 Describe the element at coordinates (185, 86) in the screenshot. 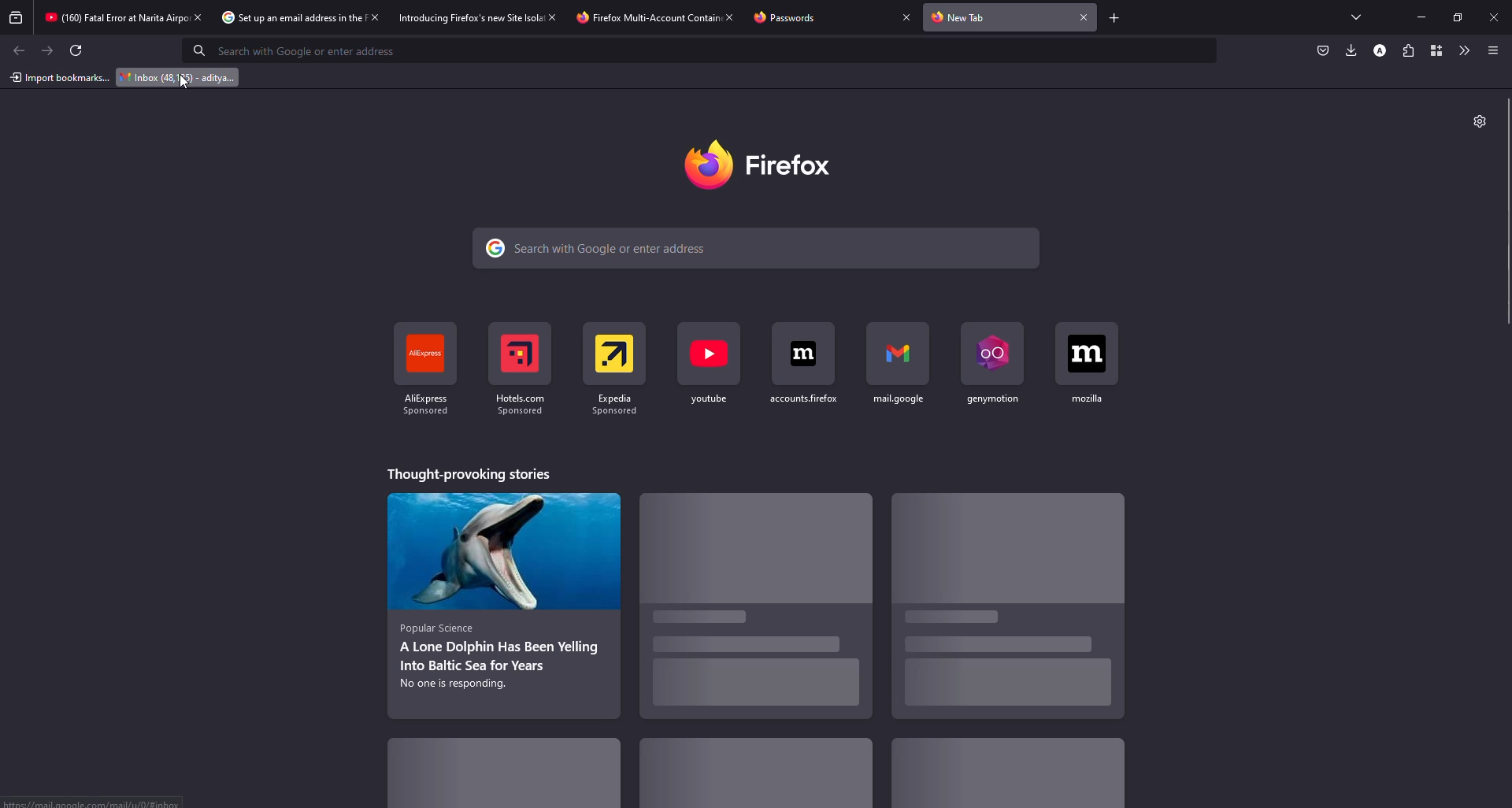

I see `cursor` at that location.